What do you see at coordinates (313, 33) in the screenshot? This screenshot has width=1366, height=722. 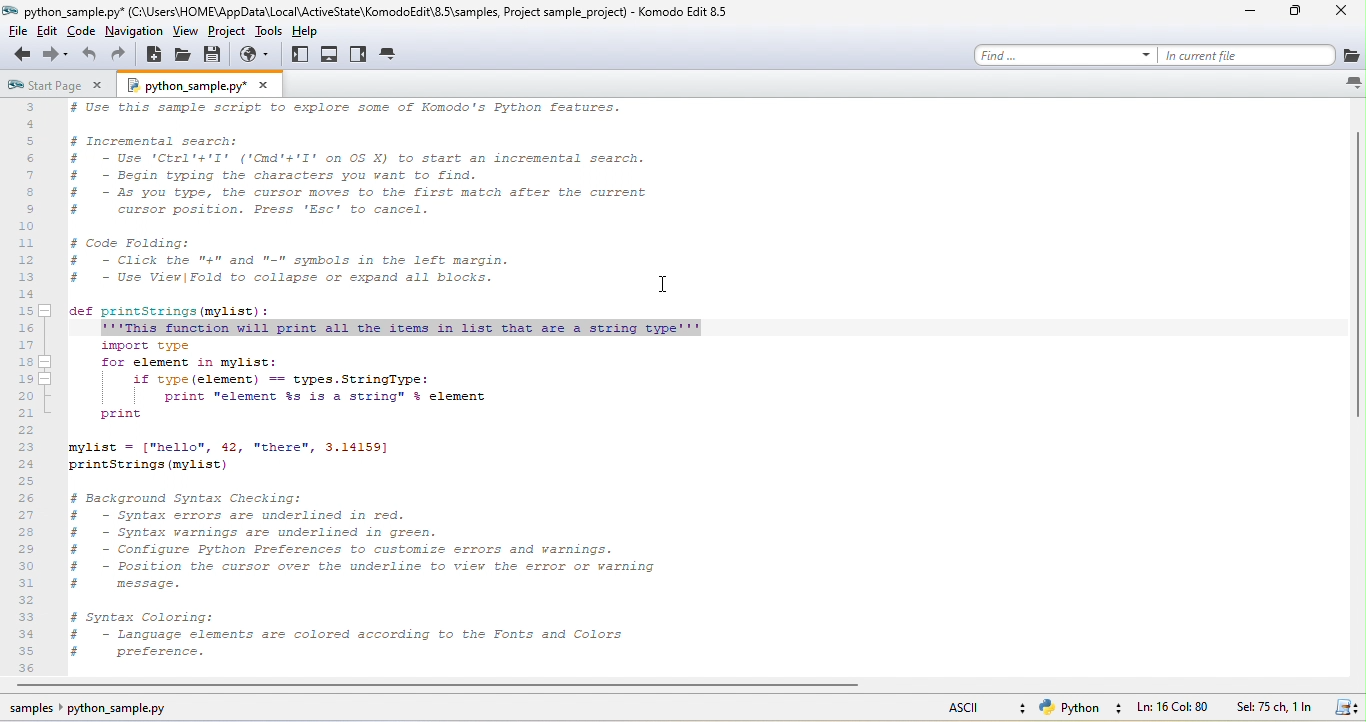 I see `help` at bounding box center [313, 33].